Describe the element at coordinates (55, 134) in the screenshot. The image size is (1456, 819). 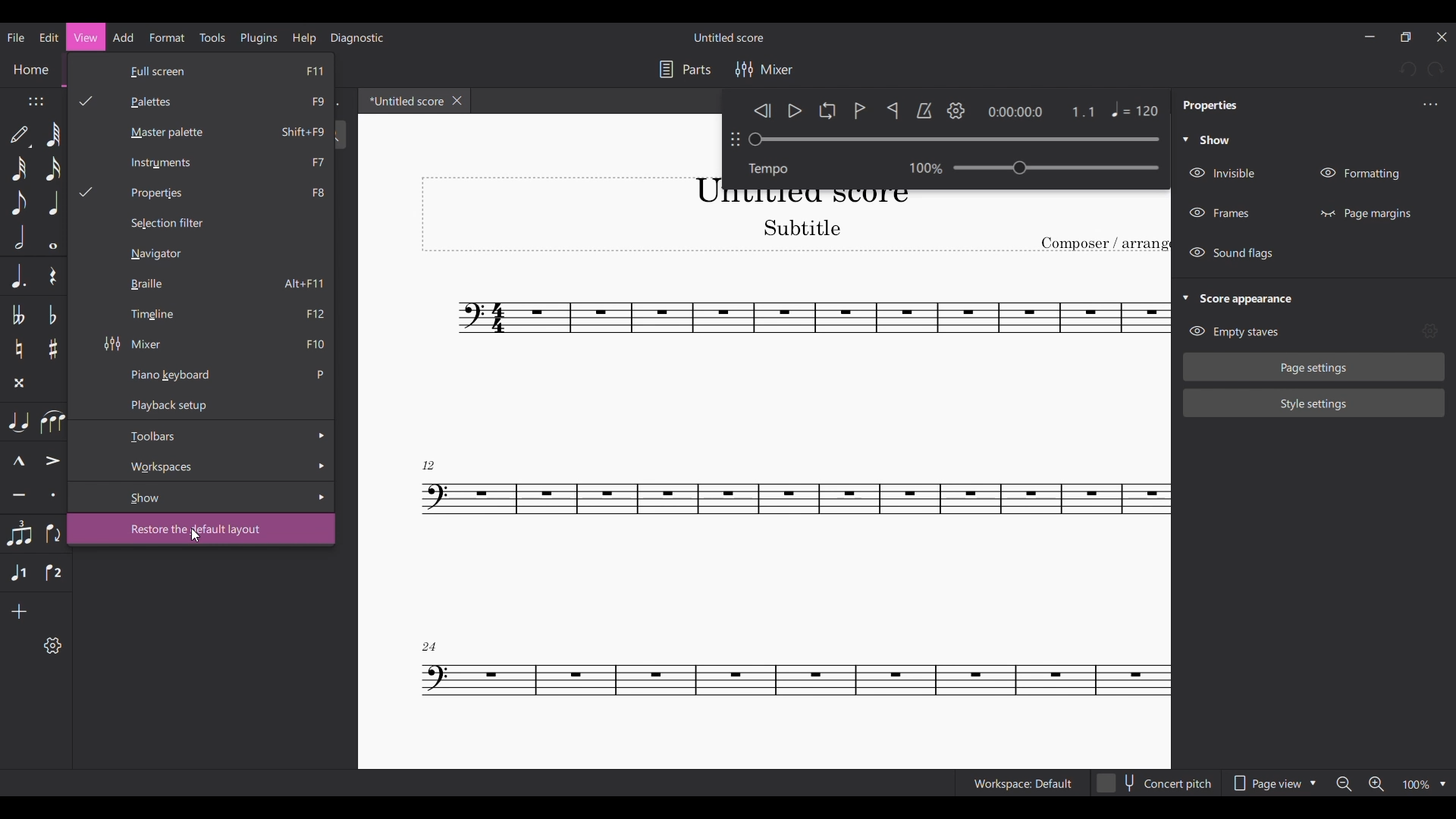
I see `64th note` at that location.